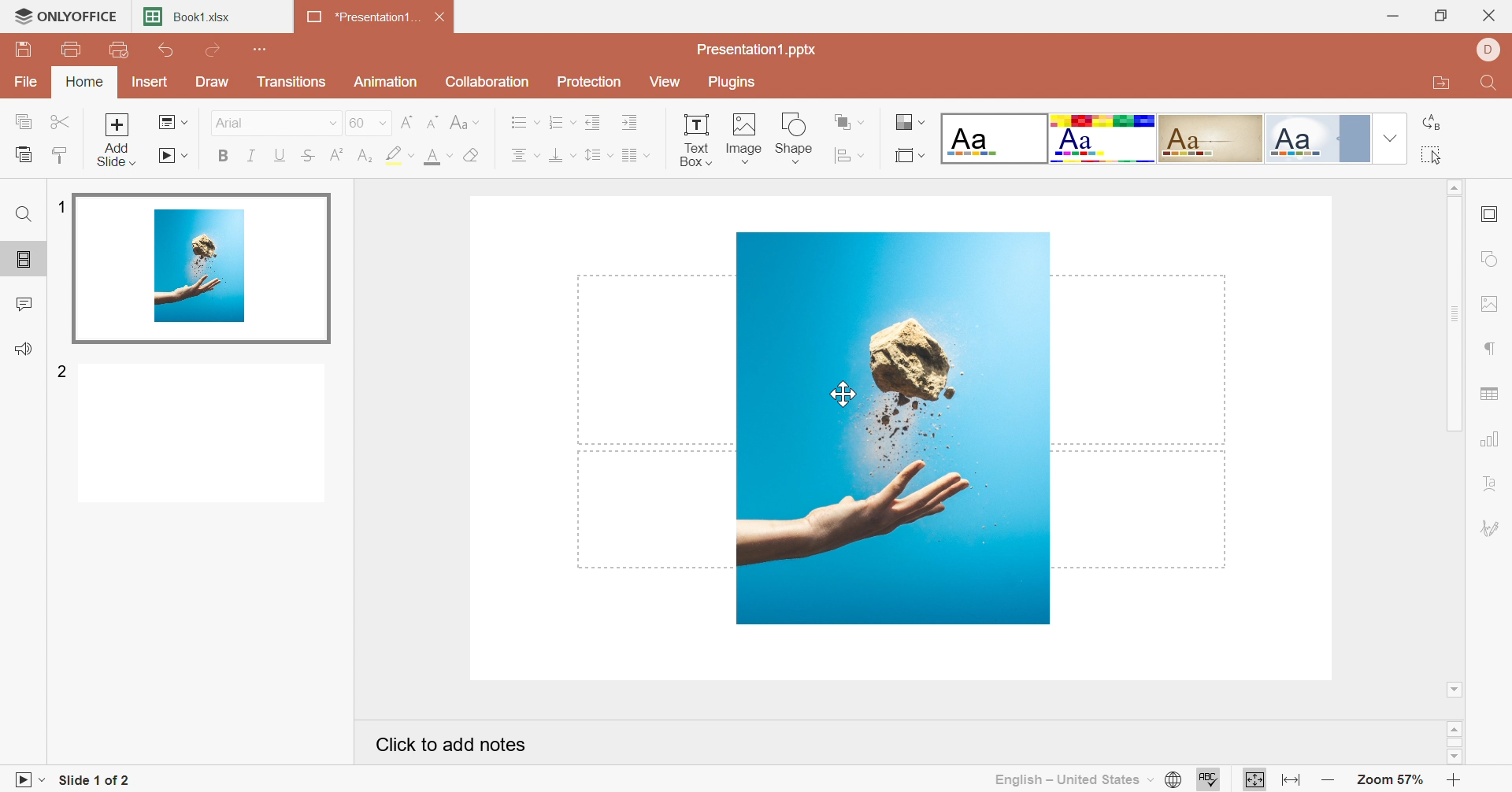  I want to click on Zoom In, so click(1455, 779).